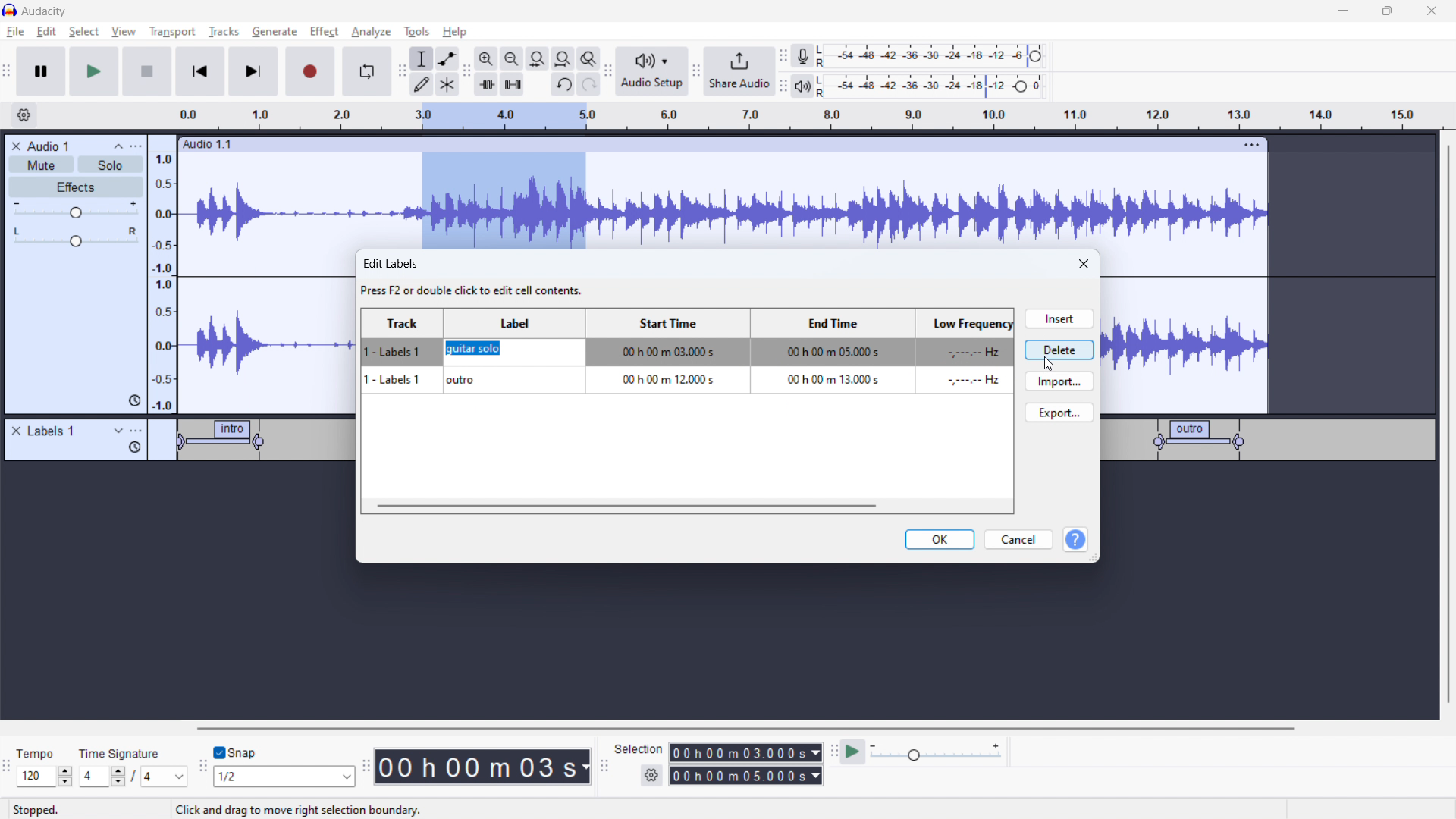 The height and width of the screenshot is (819, 1456). I want to click on history, so click(134, 401).